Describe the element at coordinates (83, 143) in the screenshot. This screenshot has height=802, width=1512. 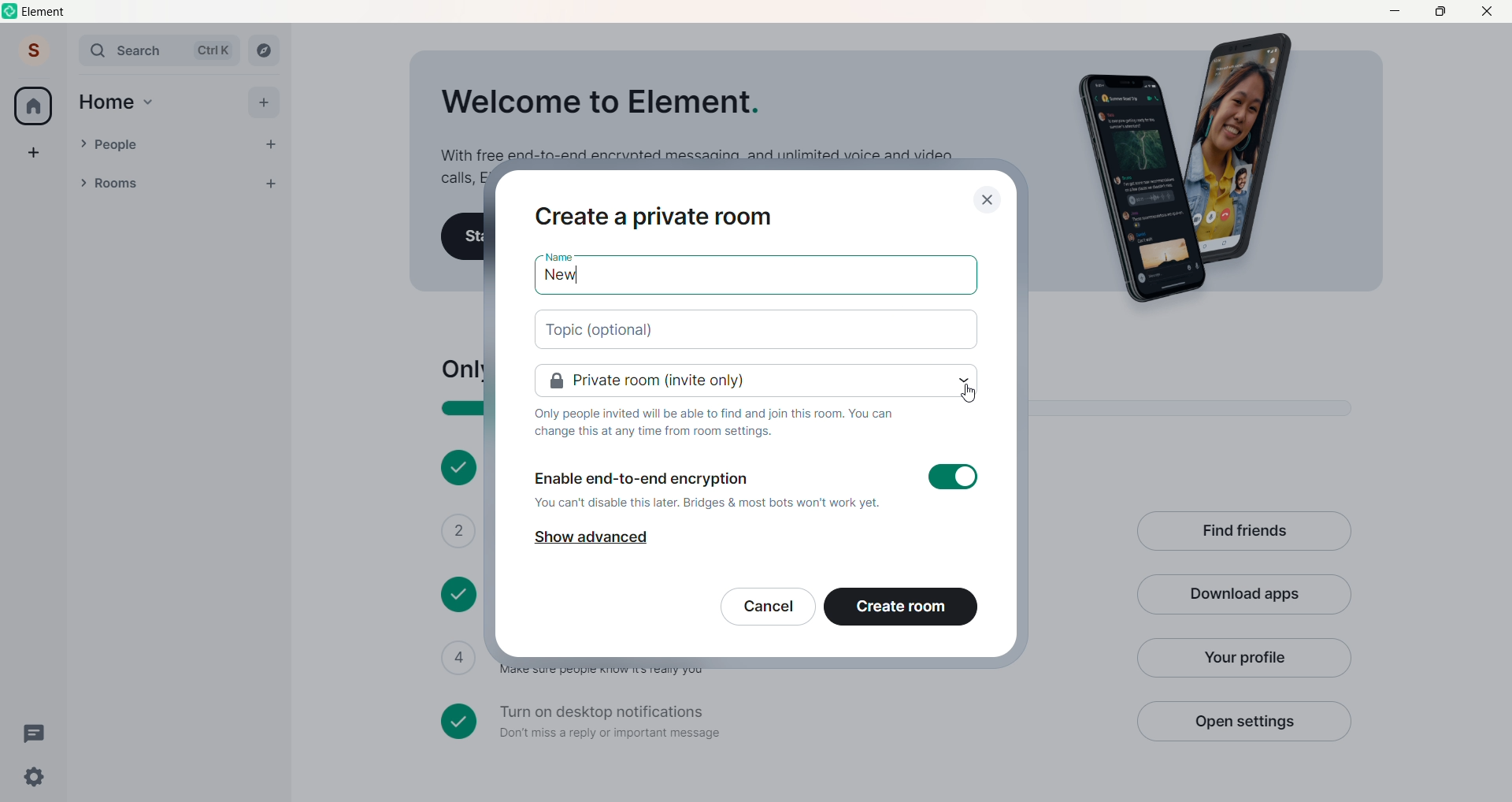
I see `people Drop down` at that location.